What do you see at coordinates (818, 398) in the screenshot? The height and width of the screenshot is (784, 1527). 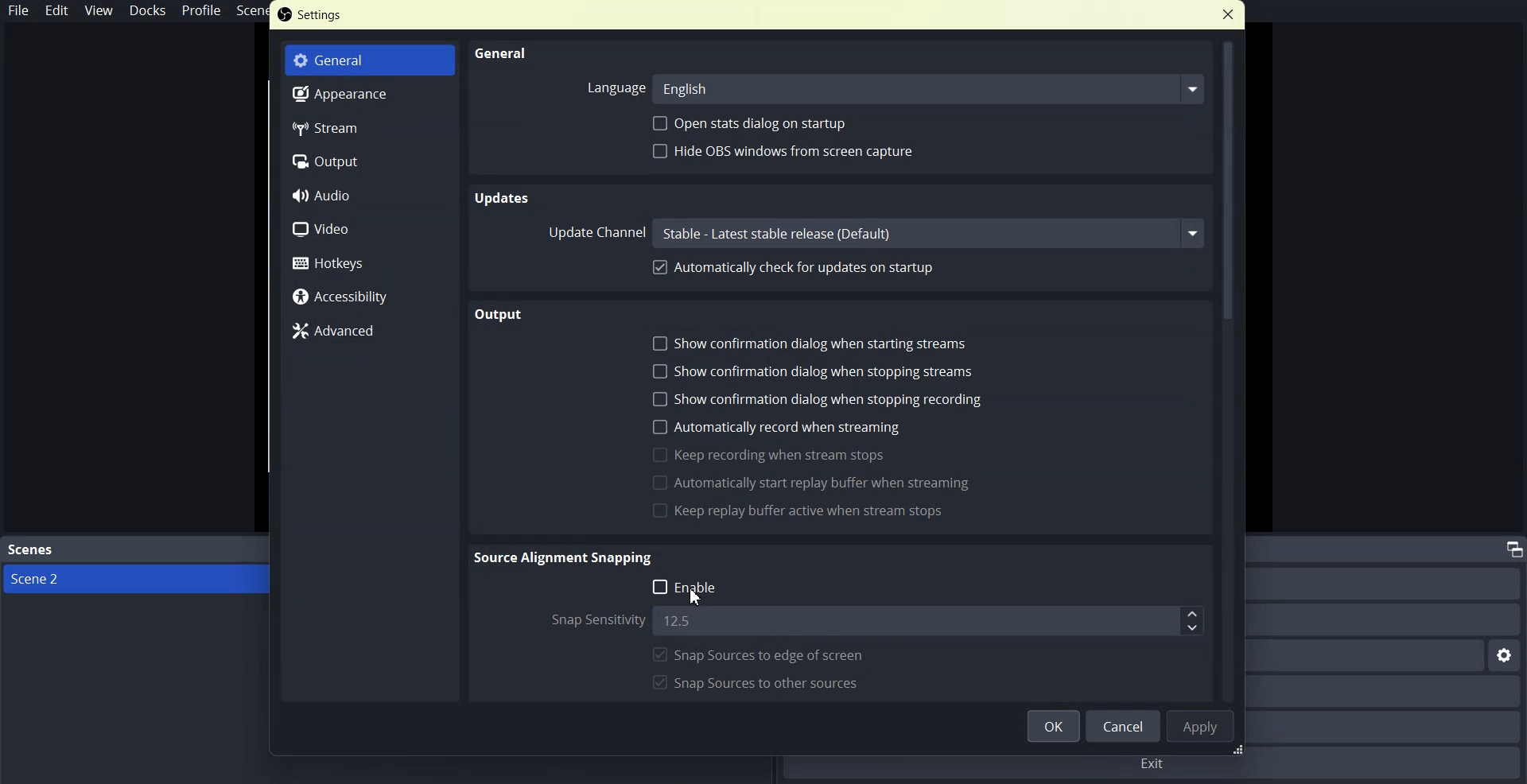 I see `Show confirmation dialogue when stopping recording` at bounding box center [818, 398].